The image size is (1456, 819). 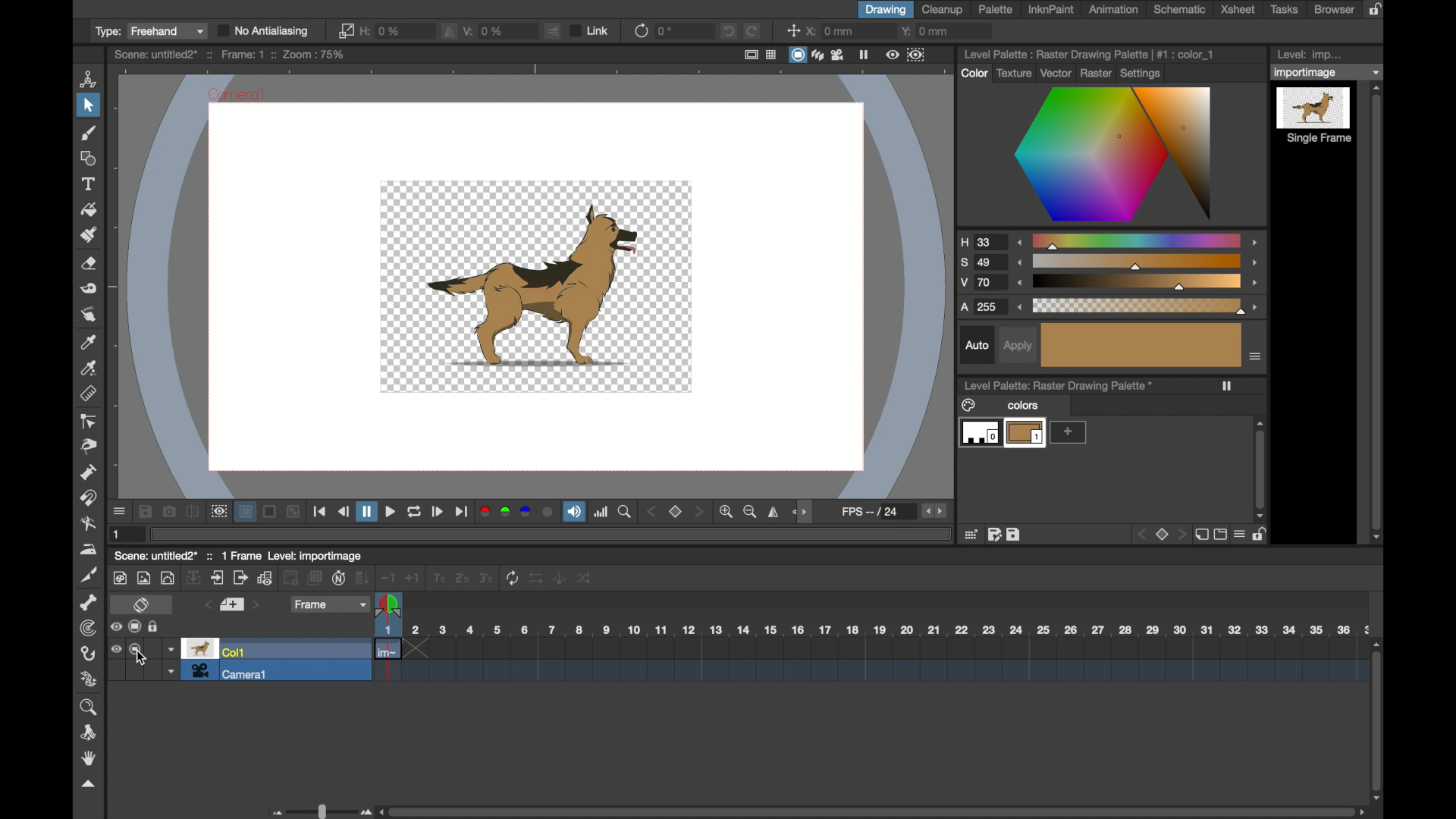 I want to click on image, so click(x=144, y=578).